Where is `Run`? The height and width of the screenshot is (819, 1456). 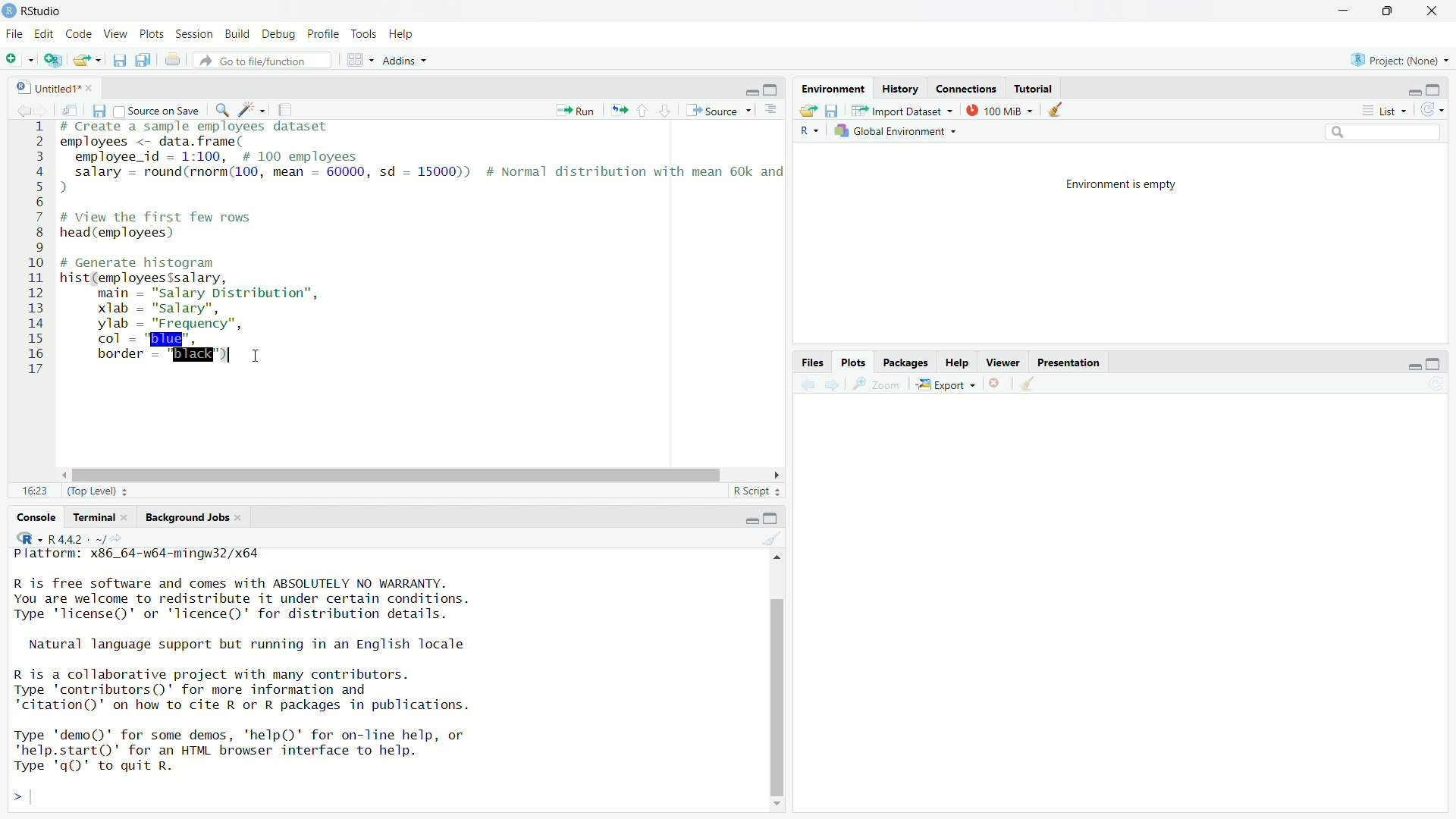
Run is located at coordinates (575, 109).